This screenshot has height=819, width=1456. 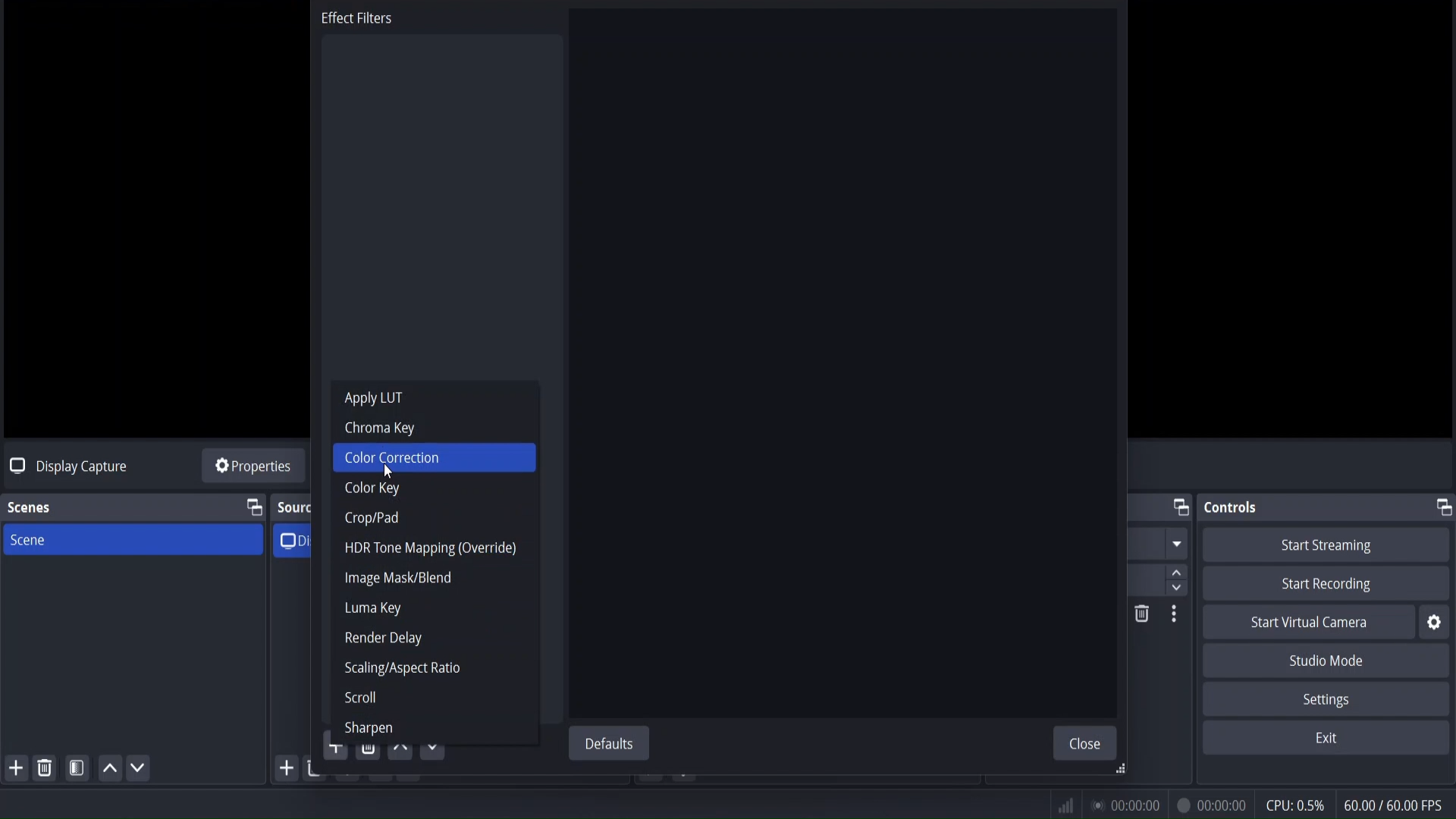 I want to click on close, so click(x=1088, y=743).